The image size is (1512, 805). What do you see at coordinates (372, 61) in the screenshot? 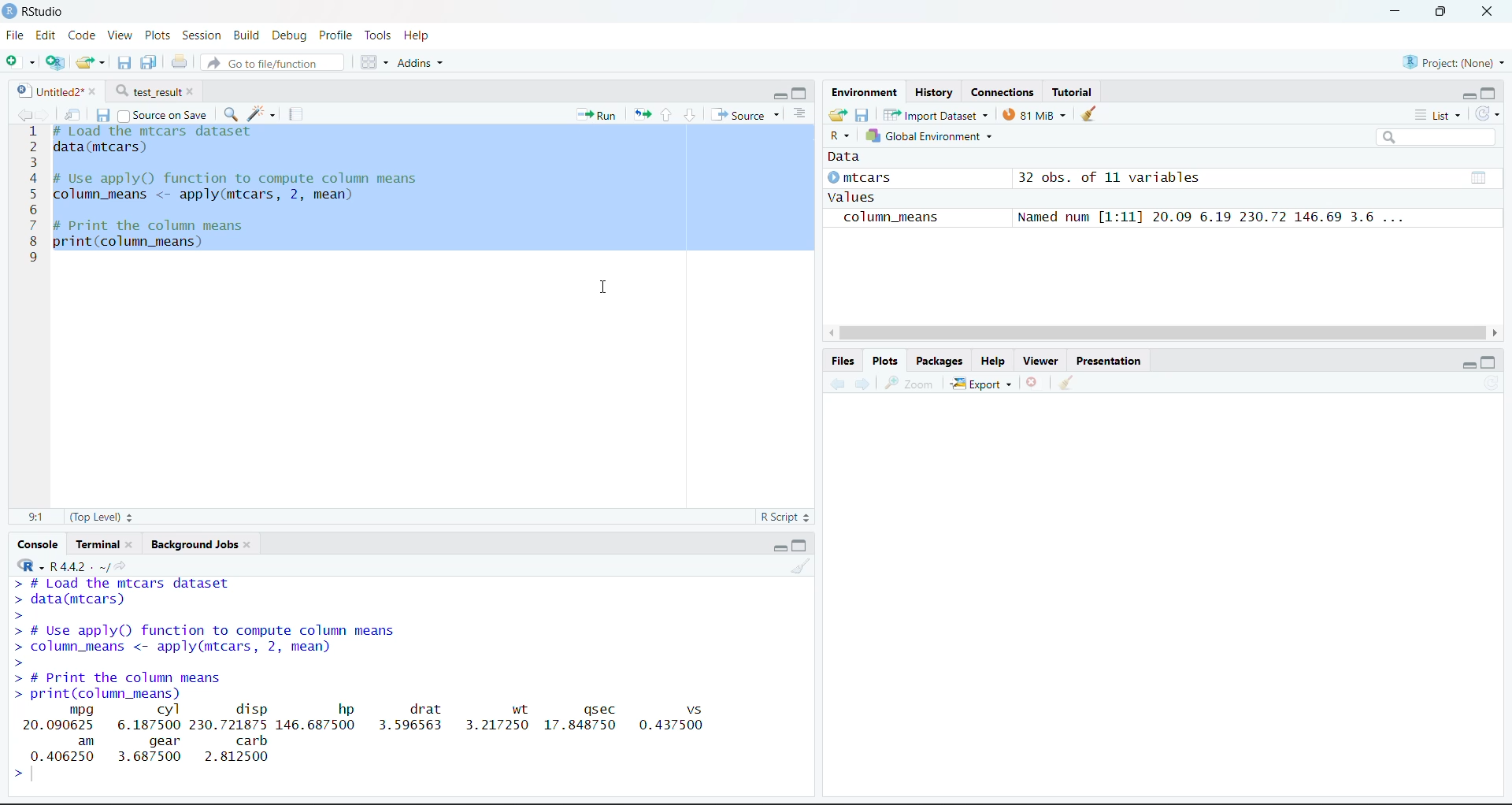
I see `Workspace panes` at bounding box center [372, 61].